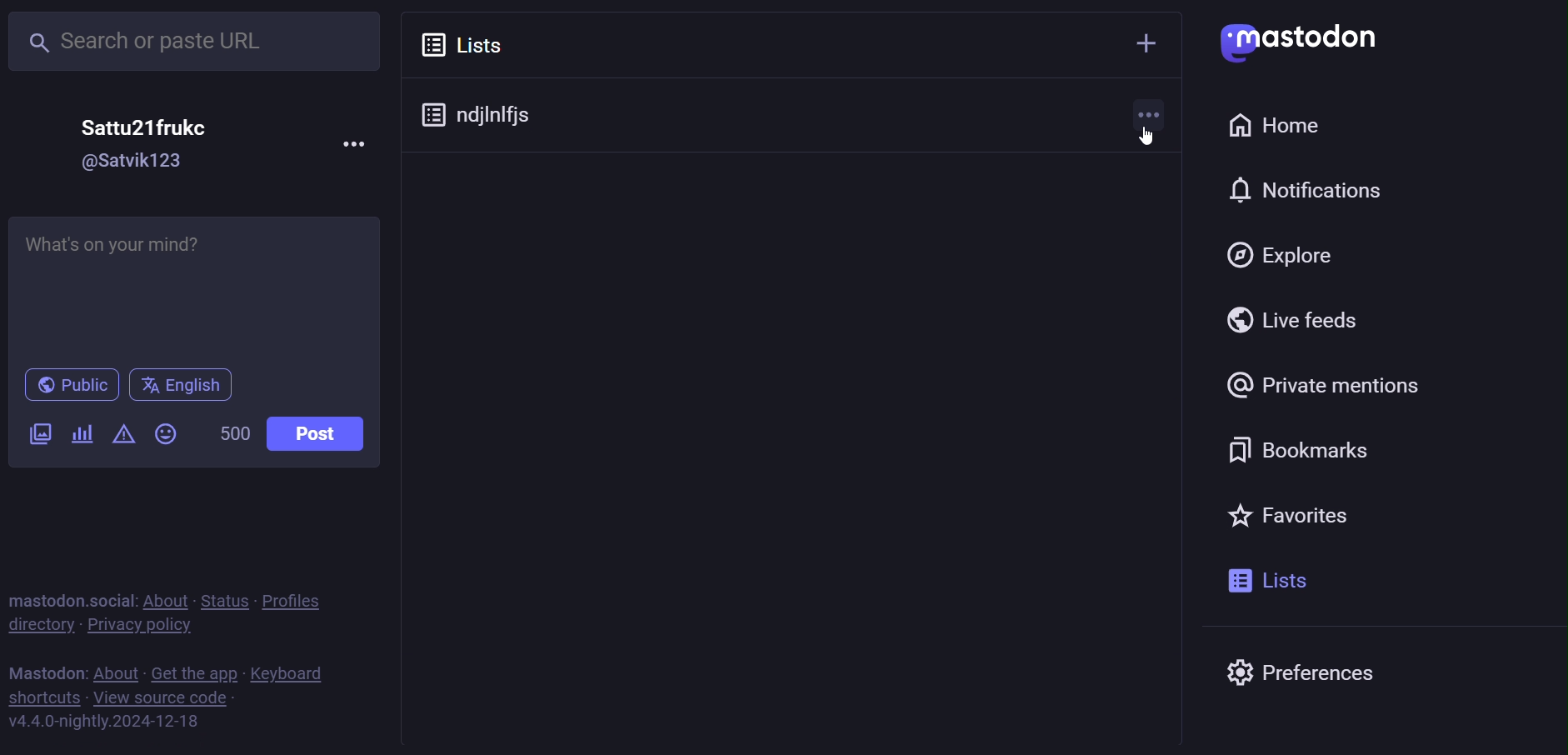  I want to click on explore, so click(1278, 254).